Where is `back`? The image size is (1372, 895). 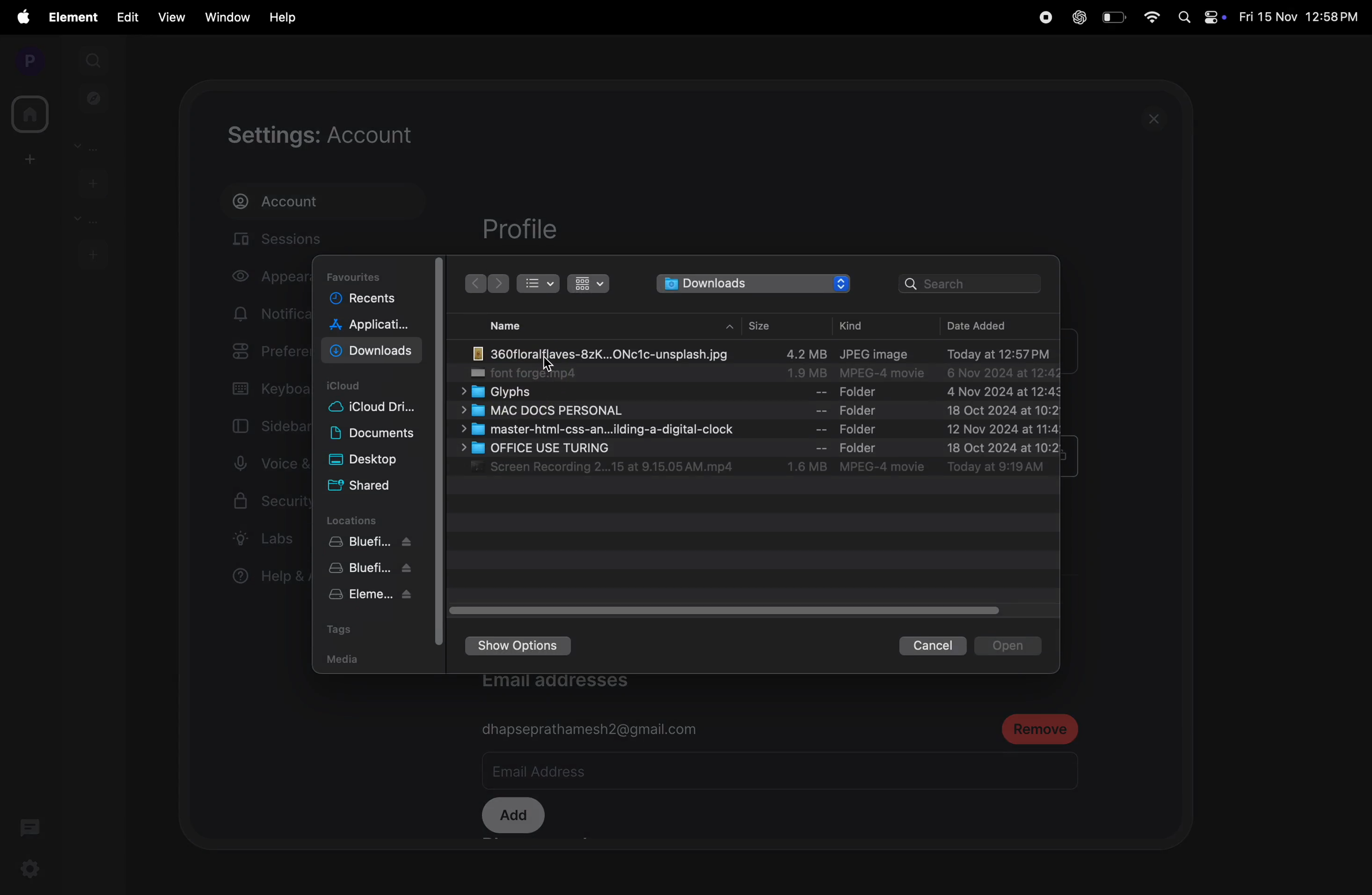 back is located at coordinates (499, 284).